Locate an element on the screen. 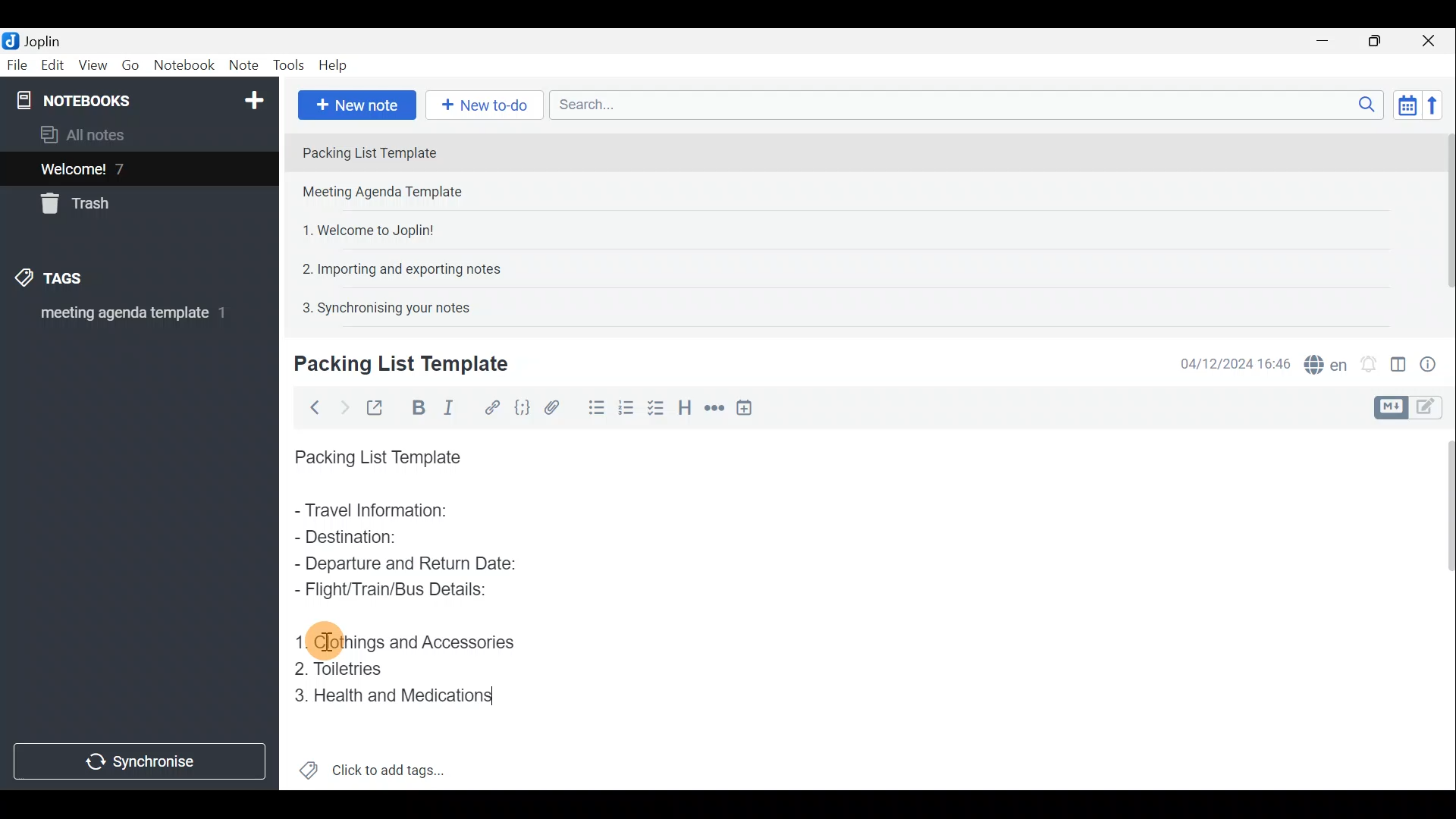 The height and width of the screenshot is (819, 1456). Click to add tags is located at coordinates (372, 766).